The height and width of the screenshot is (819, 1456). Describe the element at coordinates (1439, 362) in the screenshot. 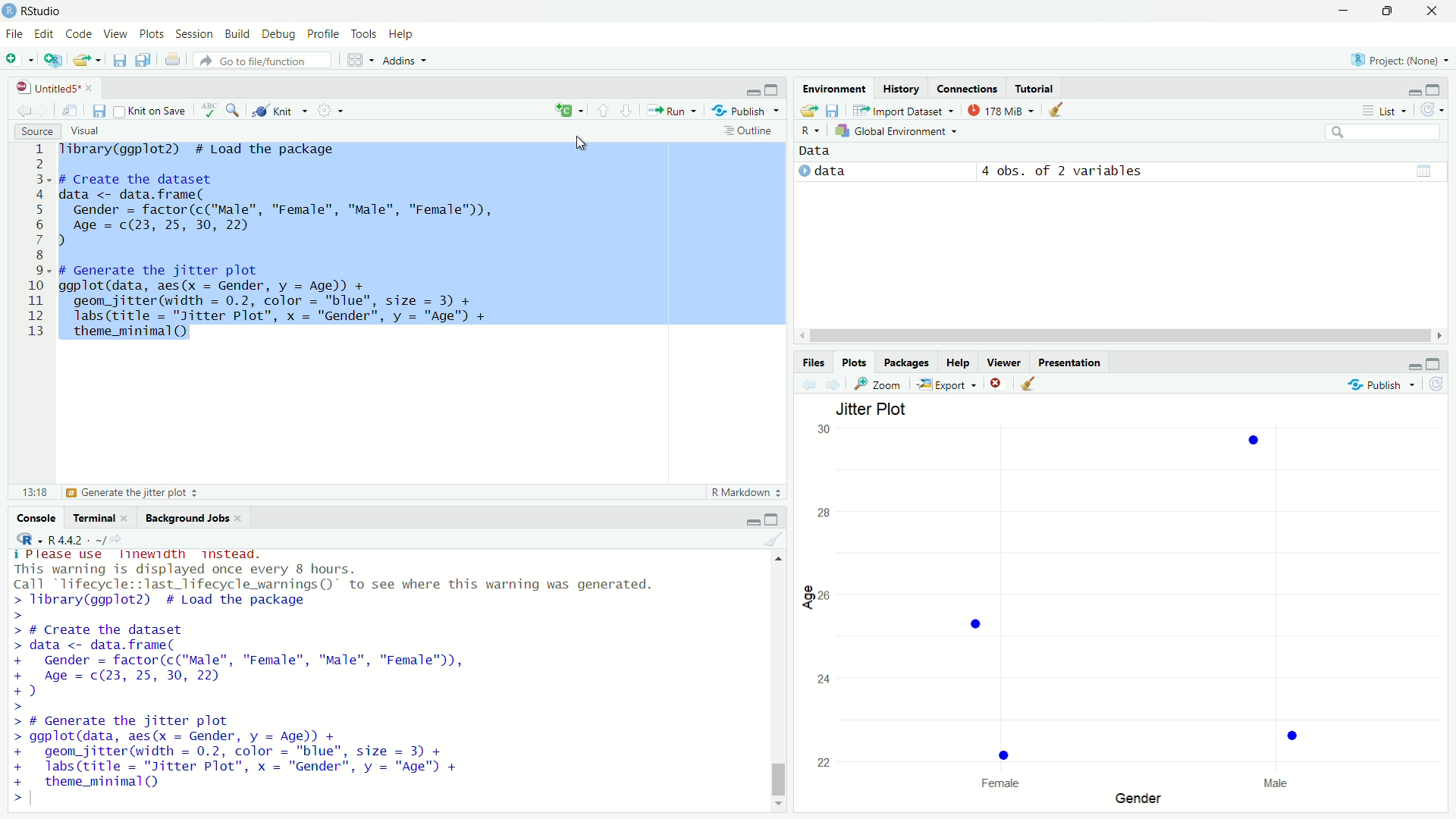

I see `maximize` at that location.